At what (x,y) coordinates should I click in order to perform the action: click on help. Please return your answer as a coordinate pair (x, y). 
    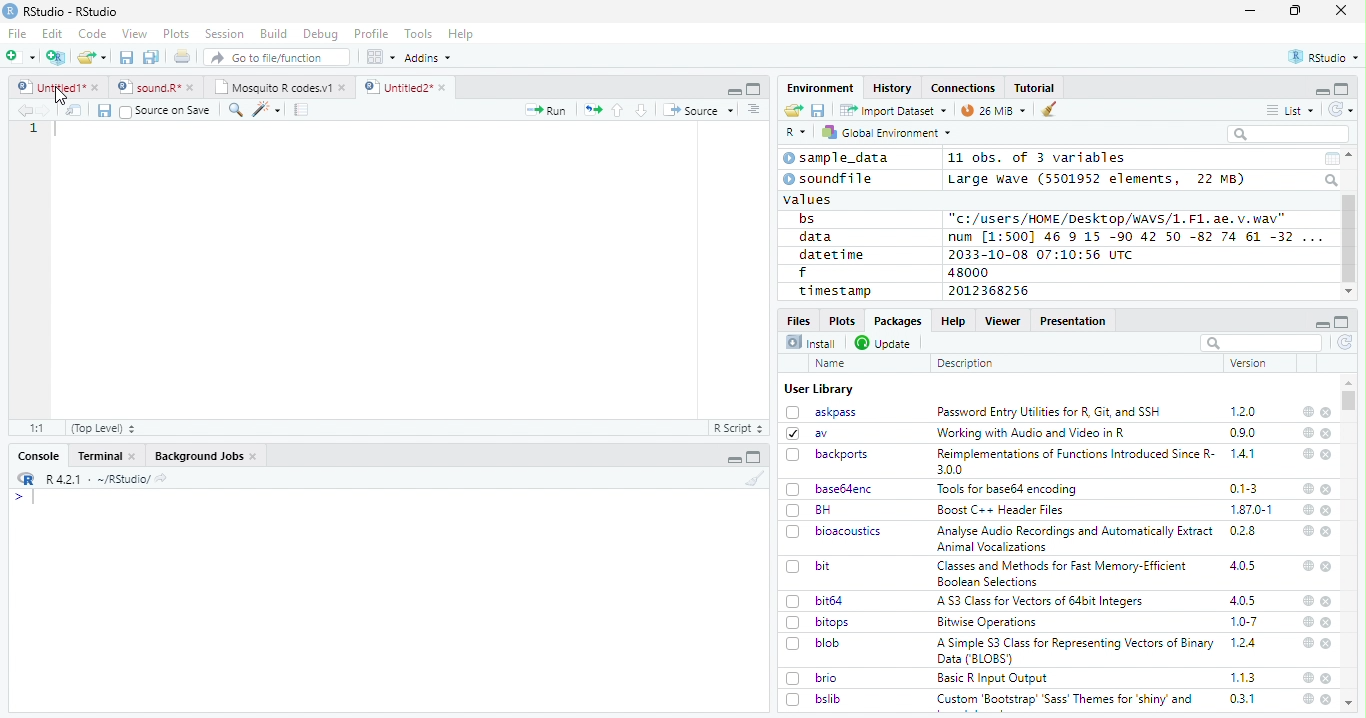
    Looking at the image, I should click on (1307, 411).